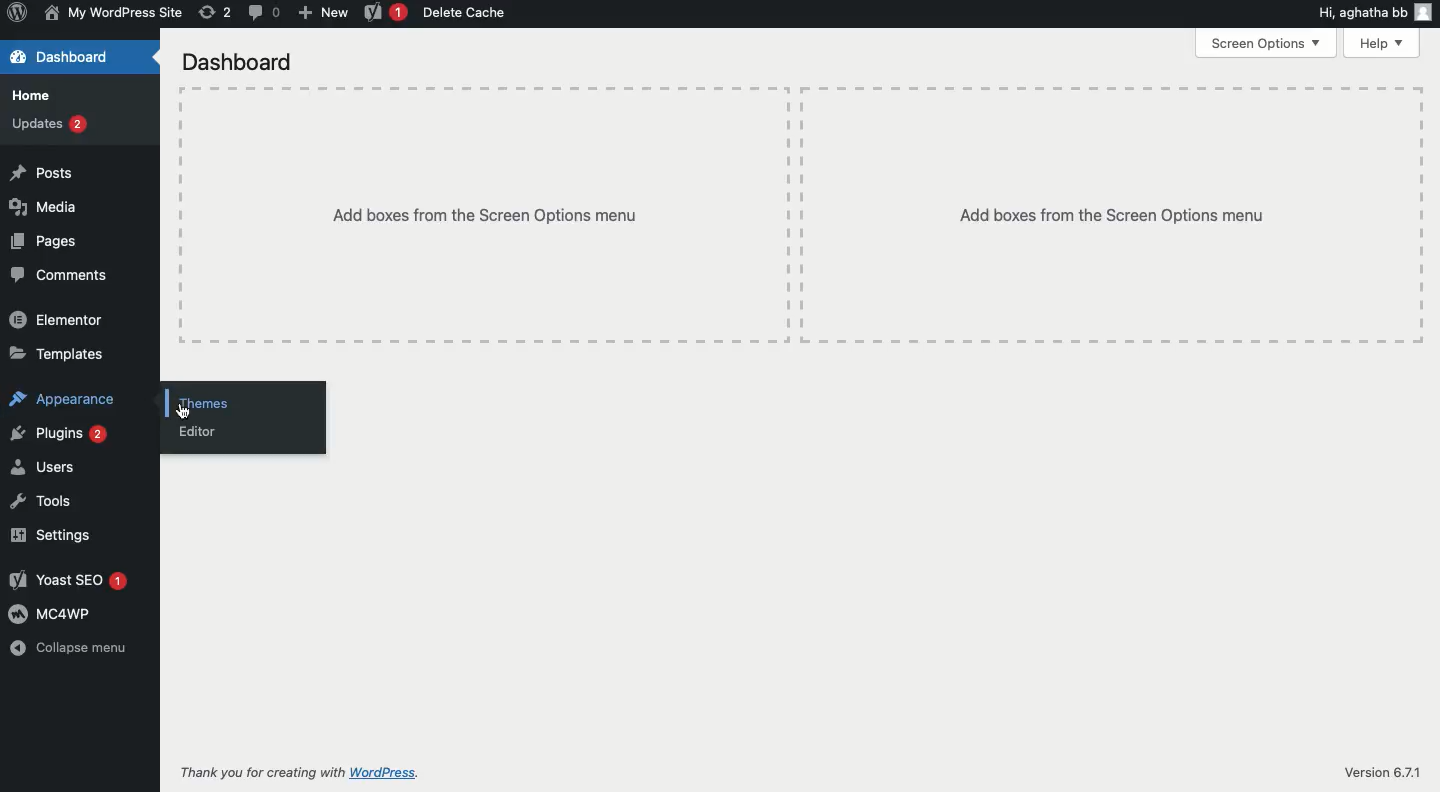 The height and width of the screenshot is (792, 1440). What do you see at coordinates (385, 13) in the screenshot?
I see `Yoast 1` at bounding box center [385, 13].